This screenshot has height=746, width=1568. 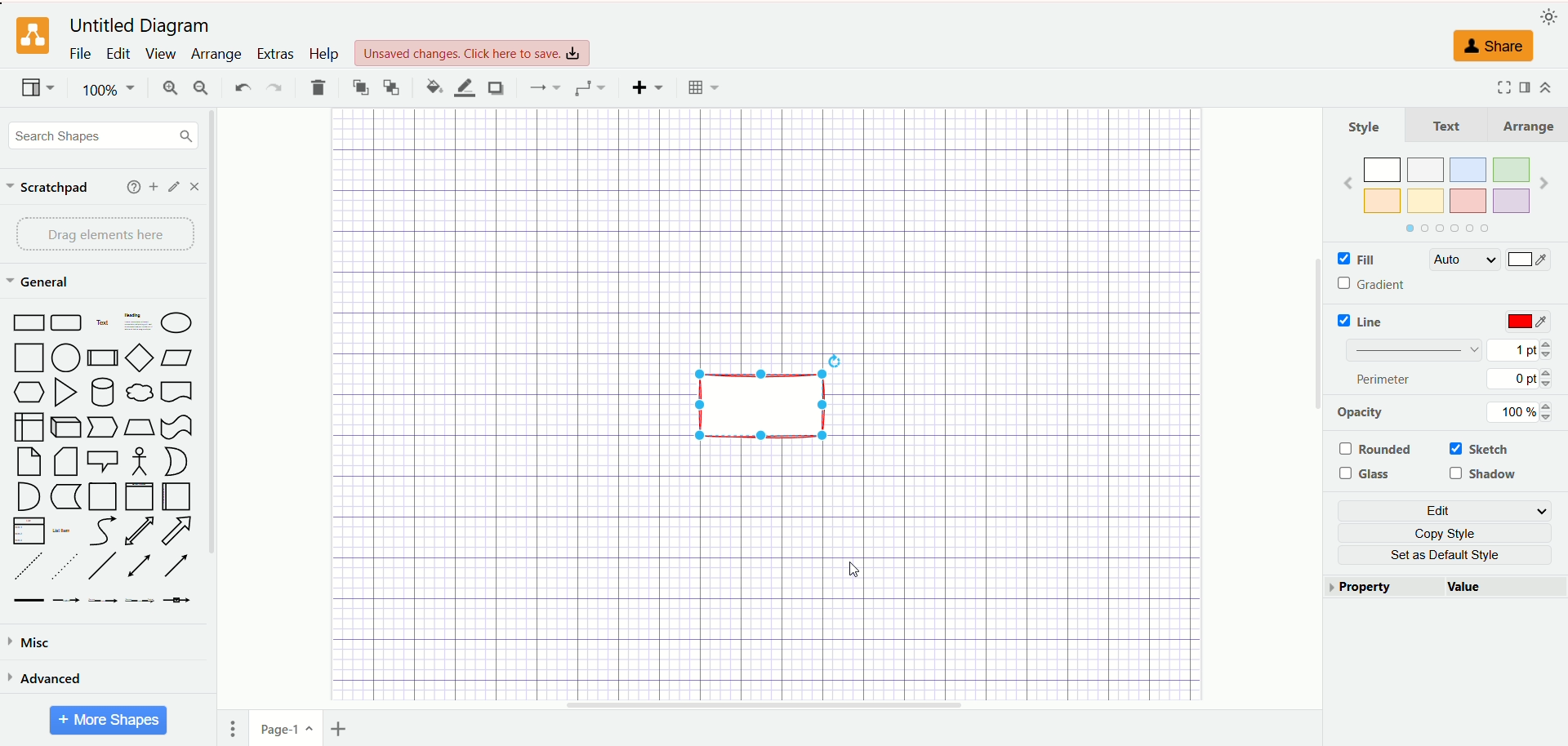 What do you see at coordinates (1385, 380) in the screenshot?
I see `perimeter` at bounding box center [1385, 380].